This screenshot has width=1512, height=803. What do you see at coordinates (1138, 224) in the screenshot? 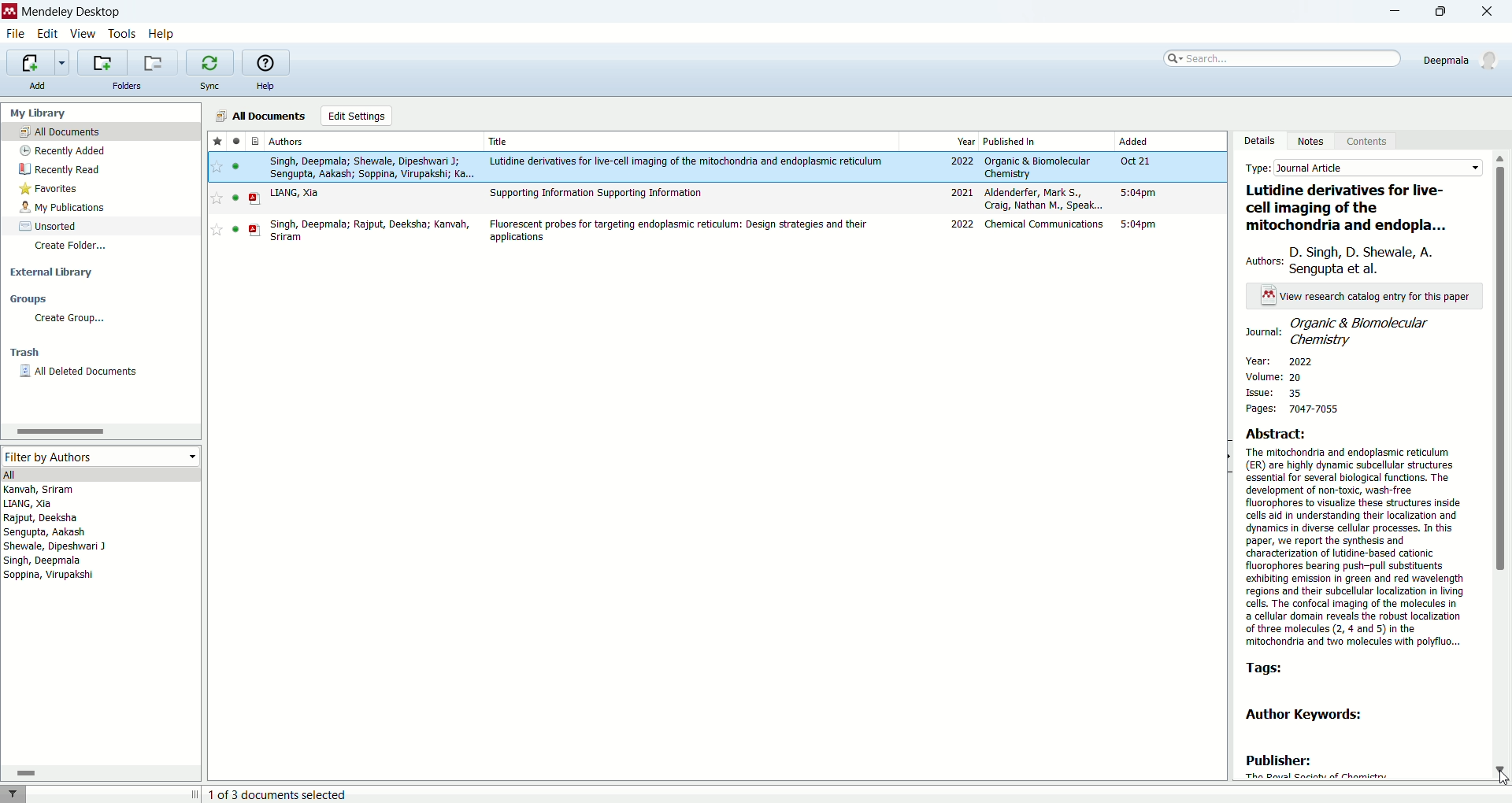
I see `5:04pm` at bounding box center [1138, 224].